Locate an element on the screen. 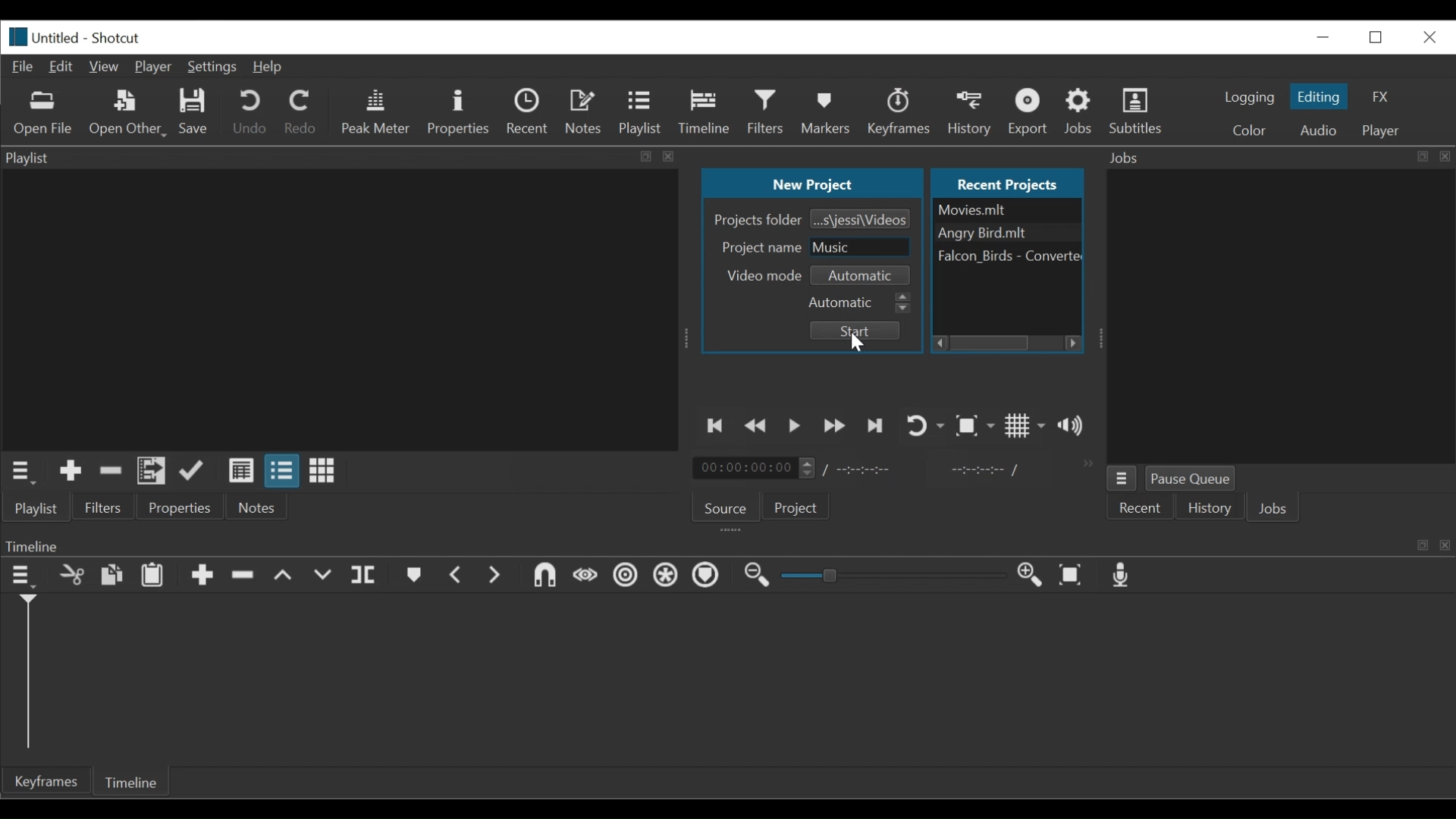  Open File is located at coordinates (42, 114).